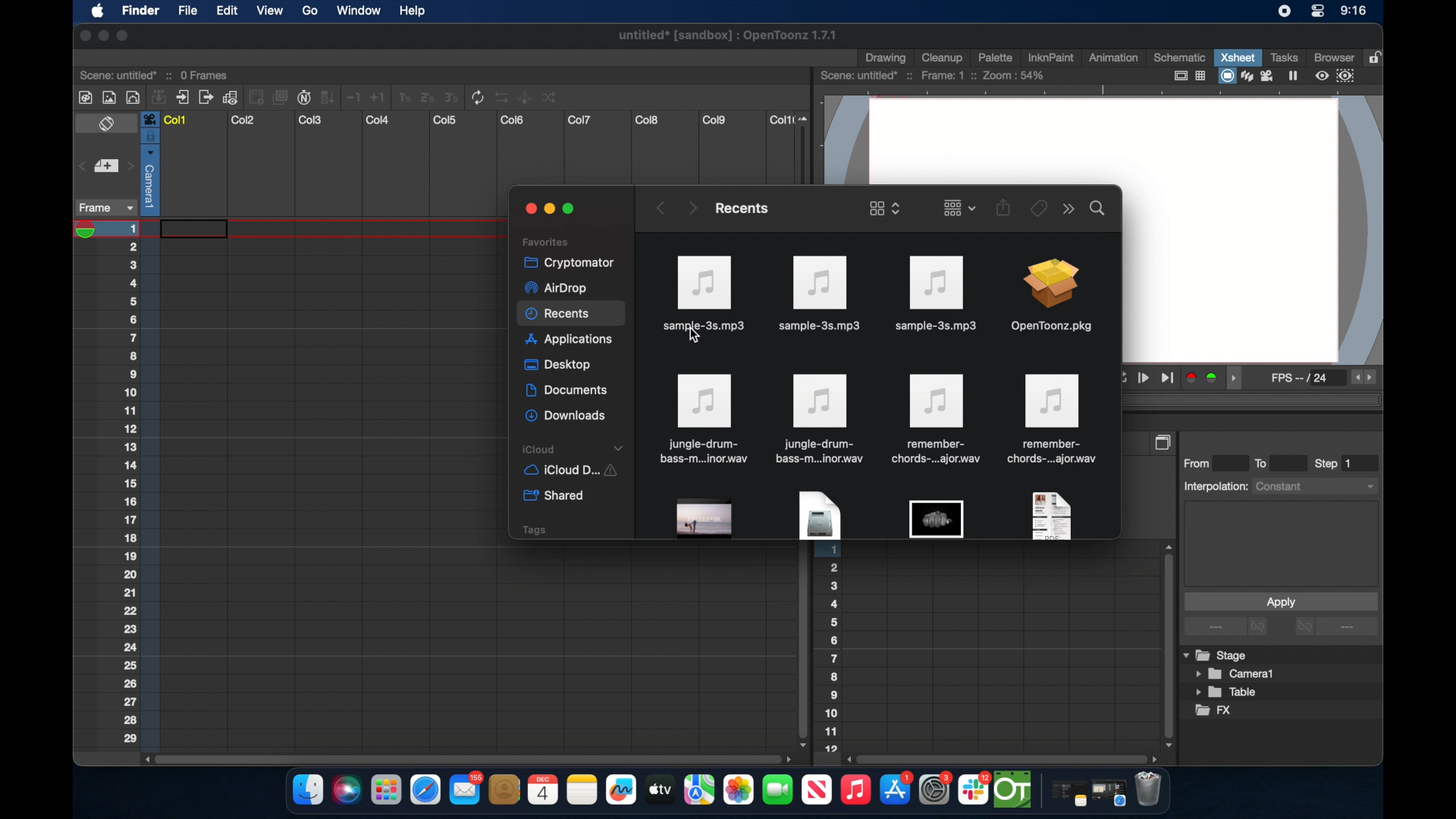 The height and width of the screenshot is (819, 1456). What do you see at coordinates (1336, 628) in the screenshot?
I see `more options` at bounding box center [1336, 628].